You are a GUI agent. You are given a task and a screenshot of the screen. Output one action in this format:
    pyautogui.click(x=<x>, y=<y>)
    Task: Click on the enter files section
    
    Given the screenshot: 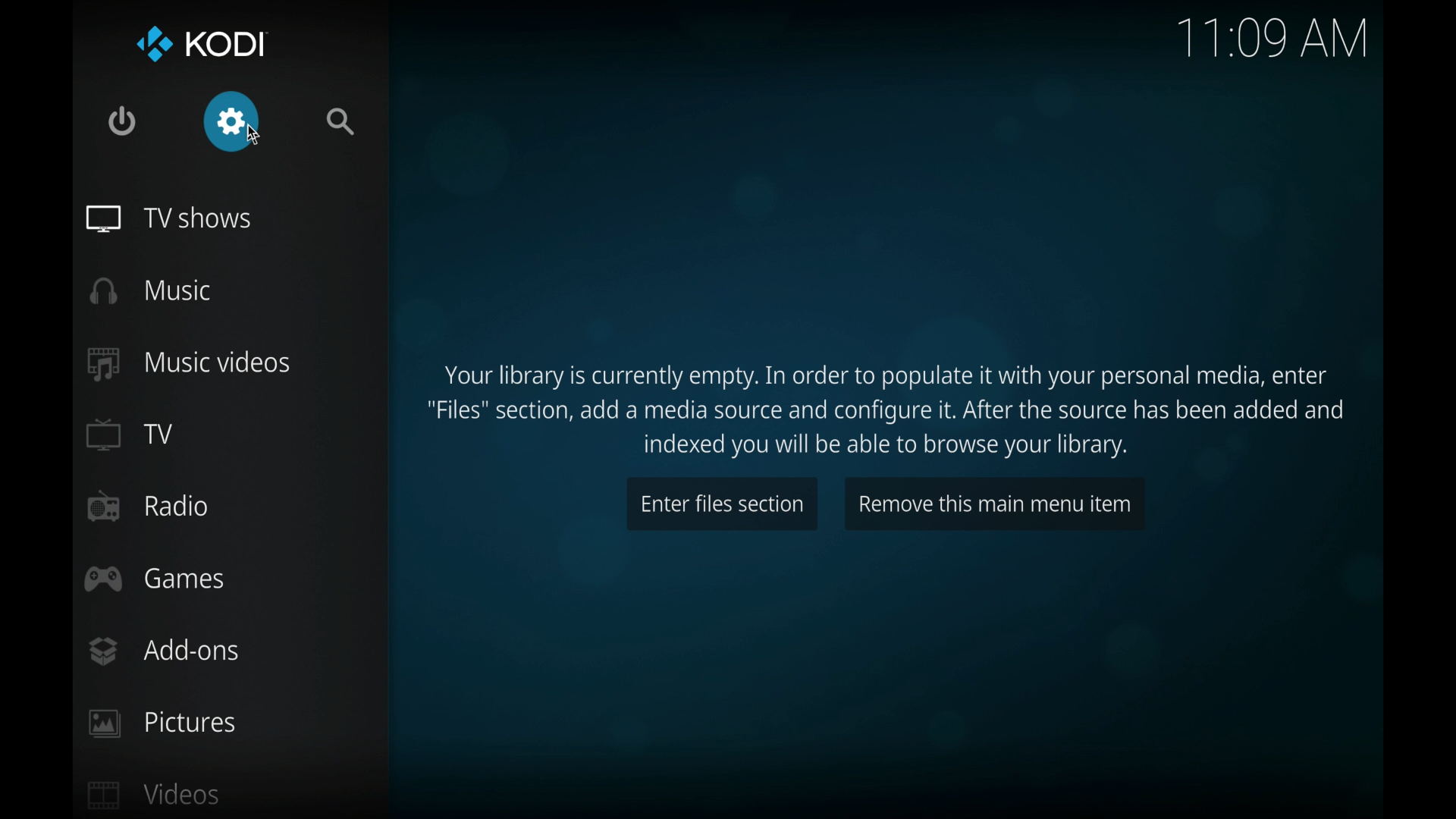 What is the action you would take?
    pyautogui.click(x=720, y=504)
    